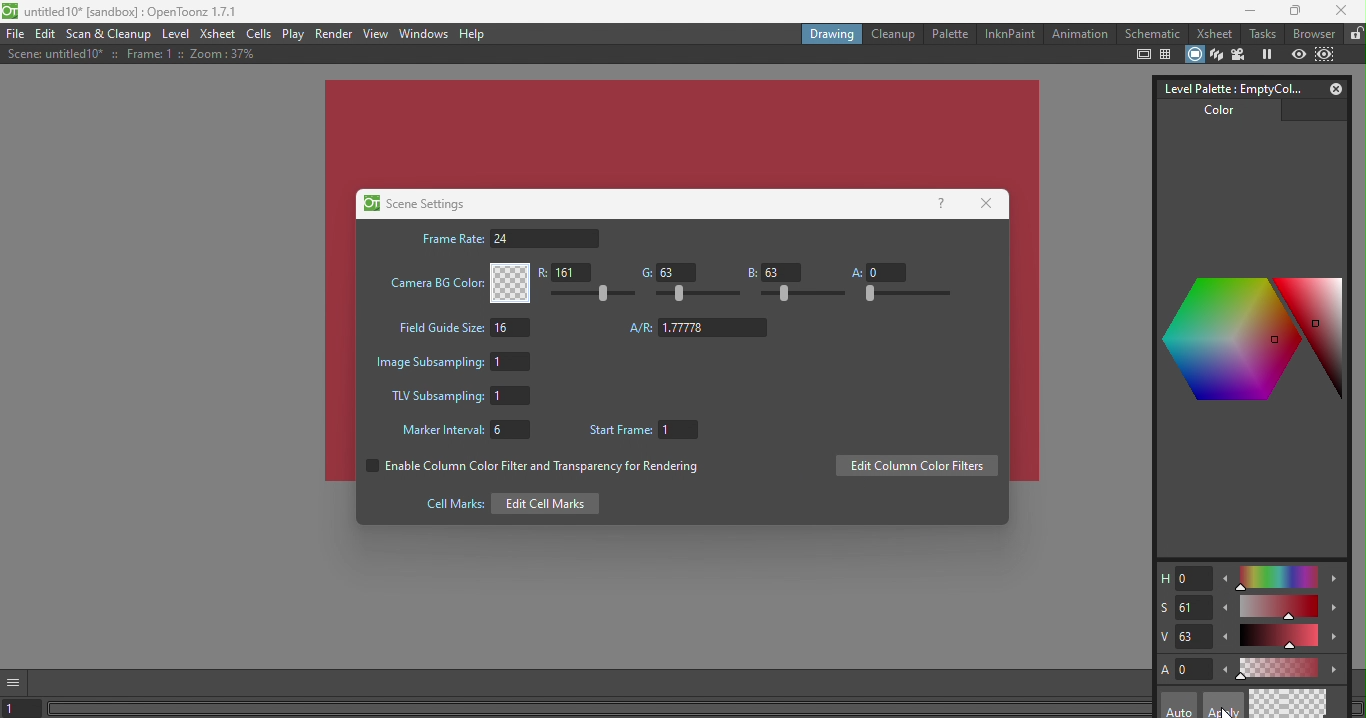  What do you see at coordinates (878, 271) in the screenshot?
I see `A` at bounding box center [878, 271].